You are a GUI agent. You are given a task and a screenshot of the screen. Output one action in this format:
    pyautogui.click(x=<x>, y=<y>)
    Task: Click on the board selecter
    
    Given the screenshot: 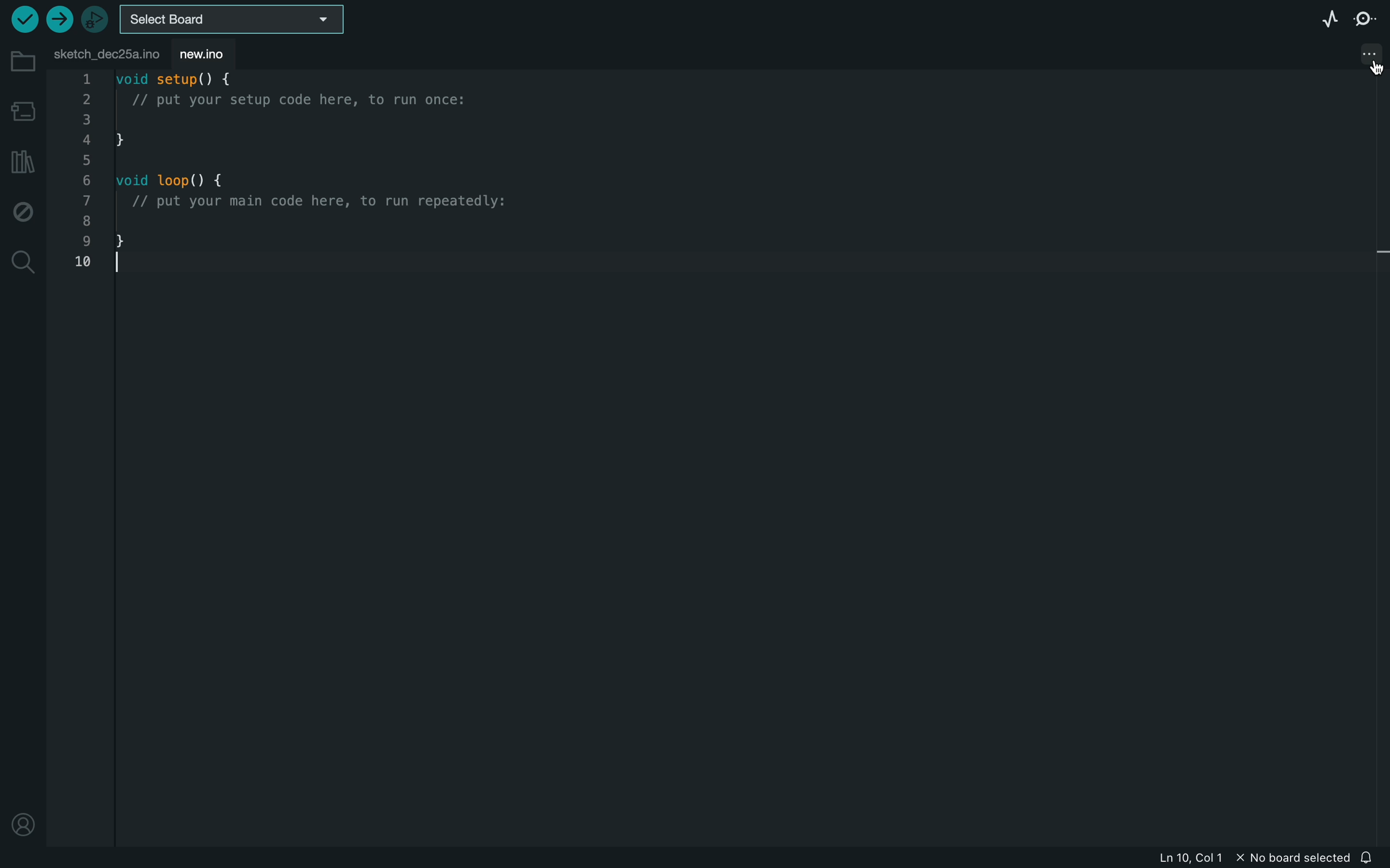 What is the action you would take?
    pyautogui.click(x=237, y=19)
    